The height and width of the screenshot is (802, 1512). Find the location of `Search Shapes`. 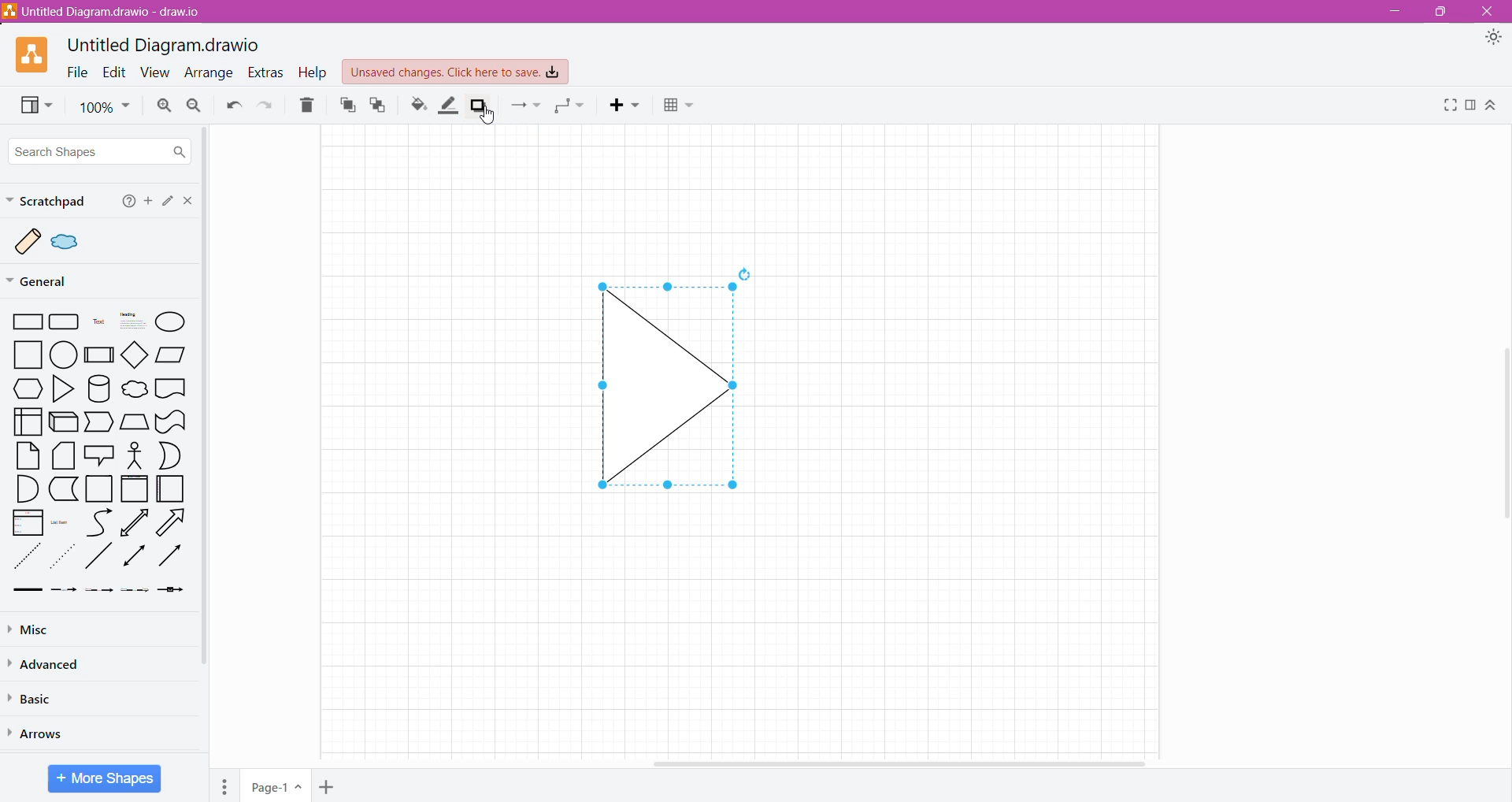

Search Shapes is located at coordinates (98, 151).